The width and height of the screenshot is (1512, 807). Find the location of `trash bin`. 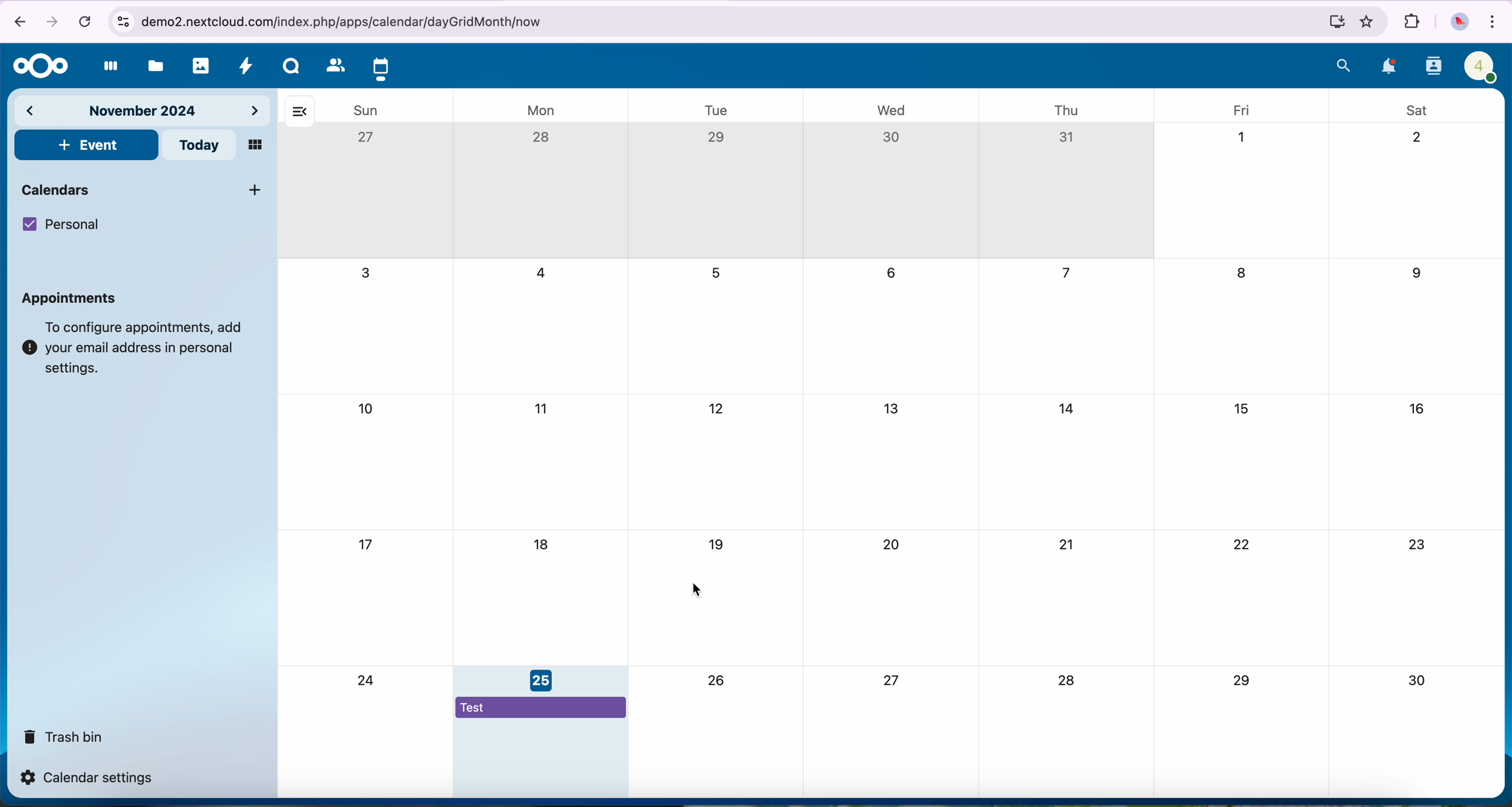

trash bin is located at coordinates (61, 735).